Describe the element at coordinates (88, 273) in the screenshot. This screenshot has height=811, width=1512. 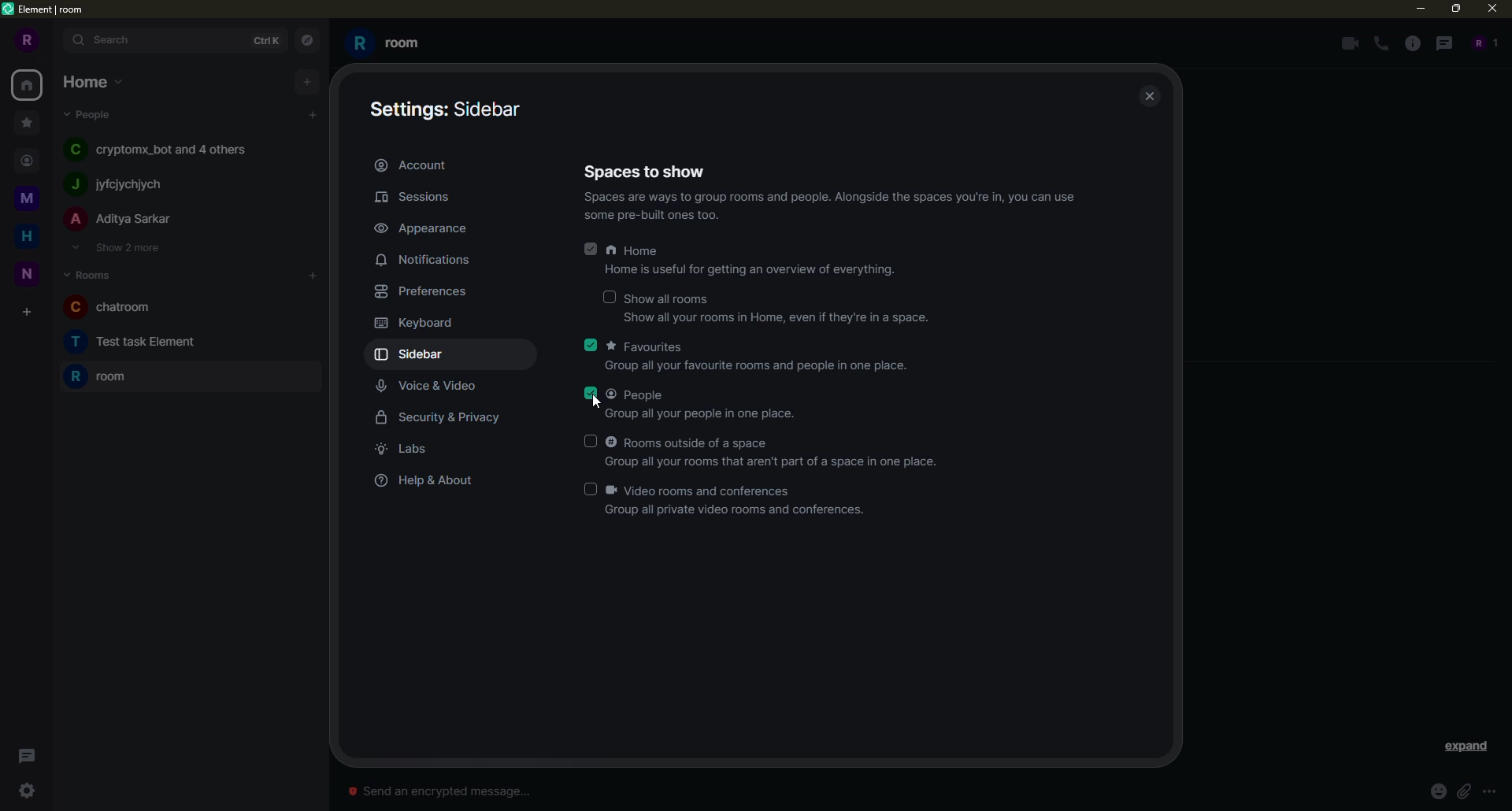
I see `rooms` at that location.